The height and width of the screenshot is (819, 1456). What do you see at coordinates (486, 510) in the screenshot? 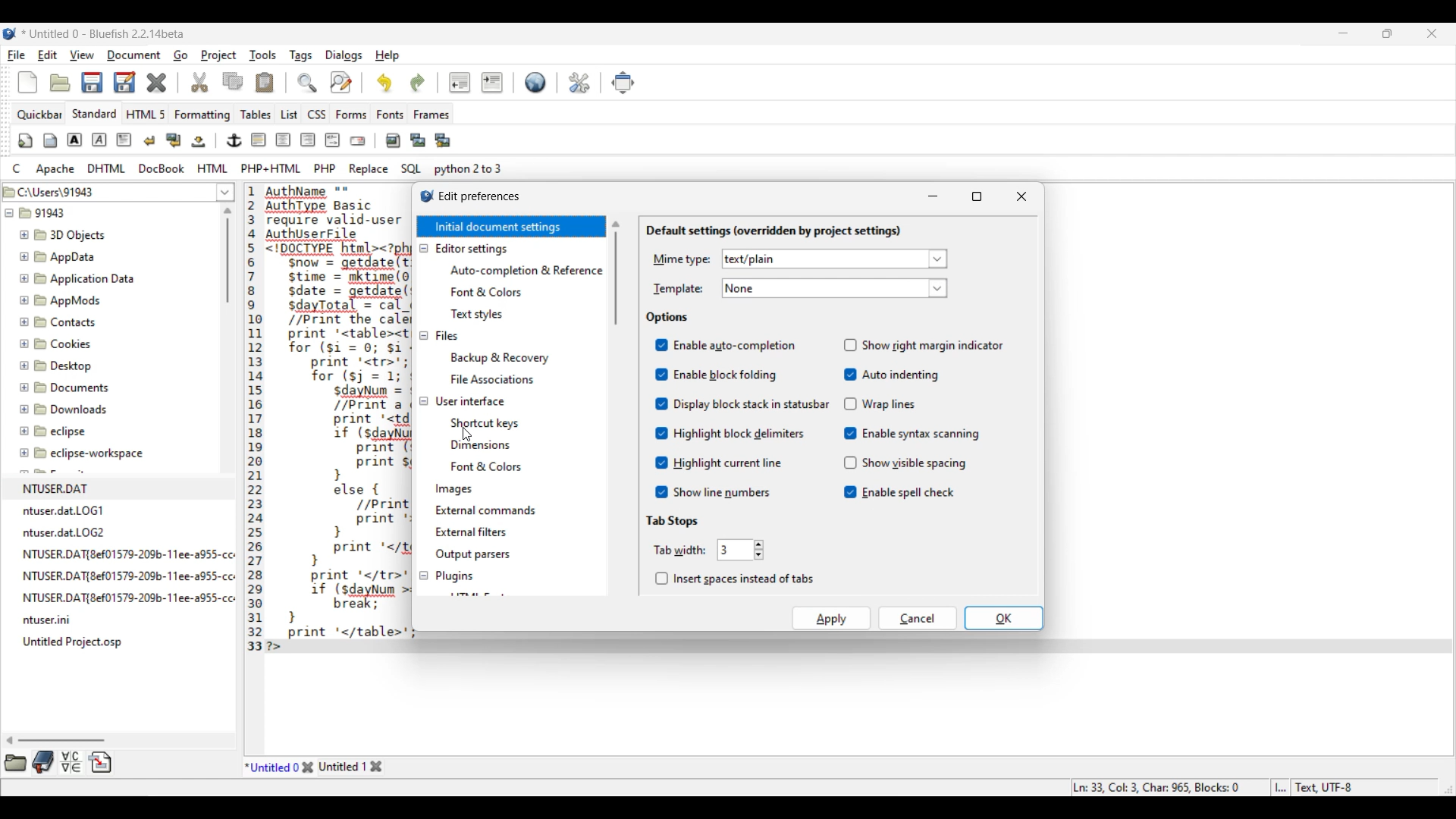
I see `External commands` at bounding box center [486, 510].